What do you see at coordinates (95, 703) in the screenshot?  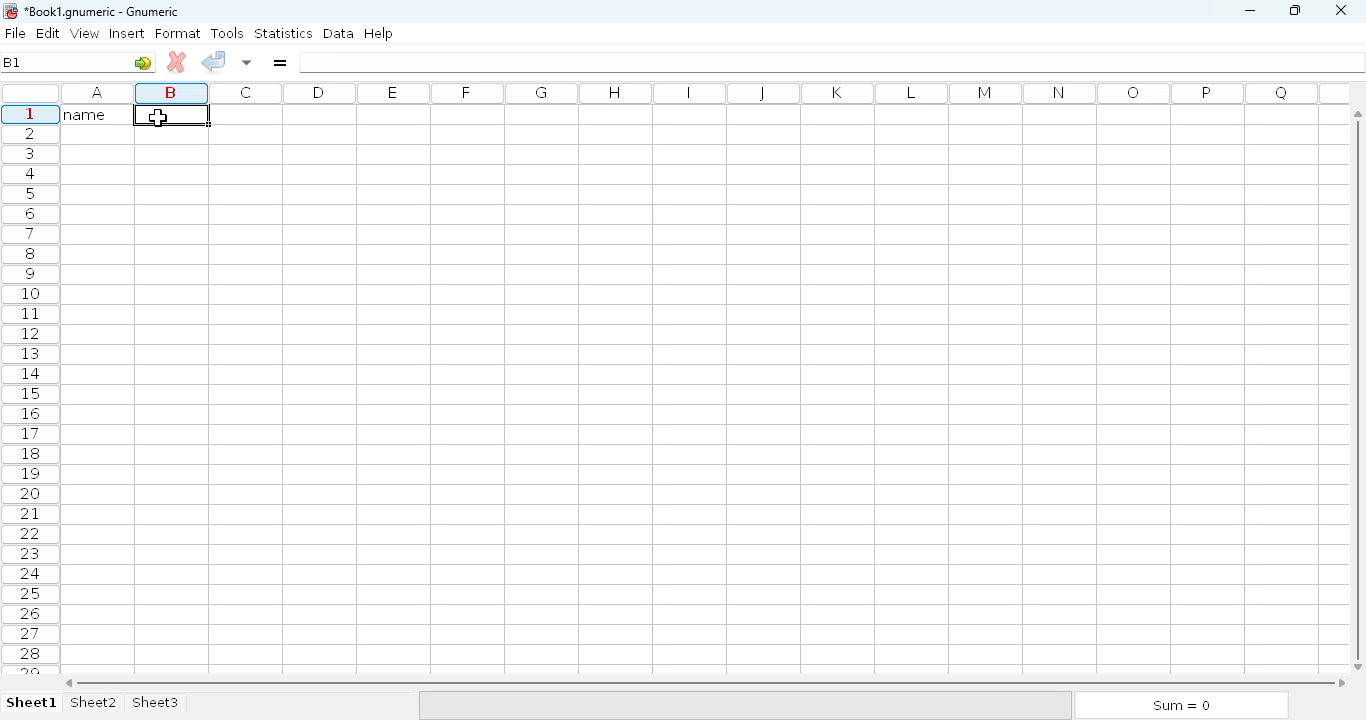 I see `sheet2` at bounding box center [95, 703].